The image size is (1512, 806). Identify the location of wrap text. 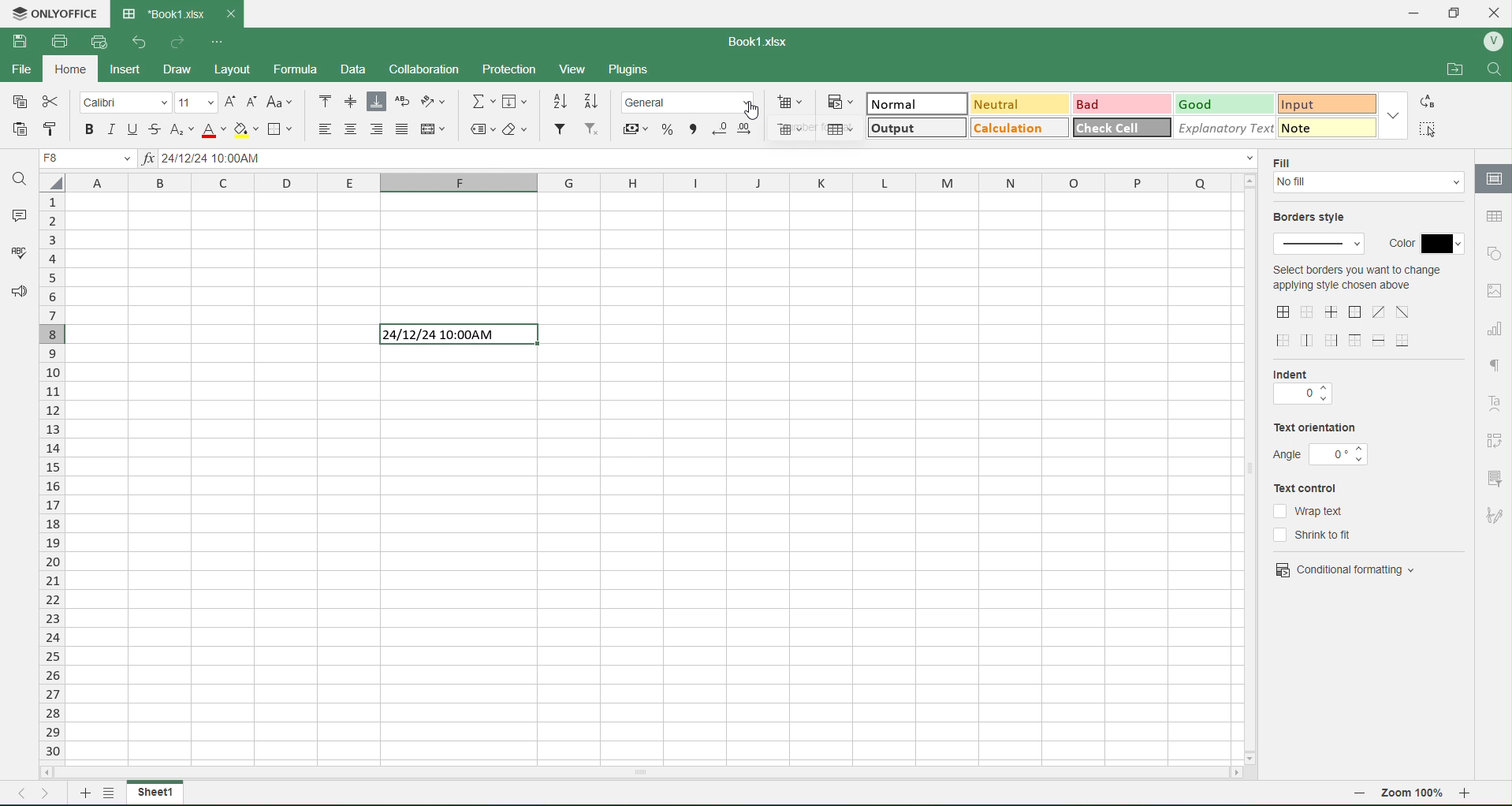
(1309, 510).